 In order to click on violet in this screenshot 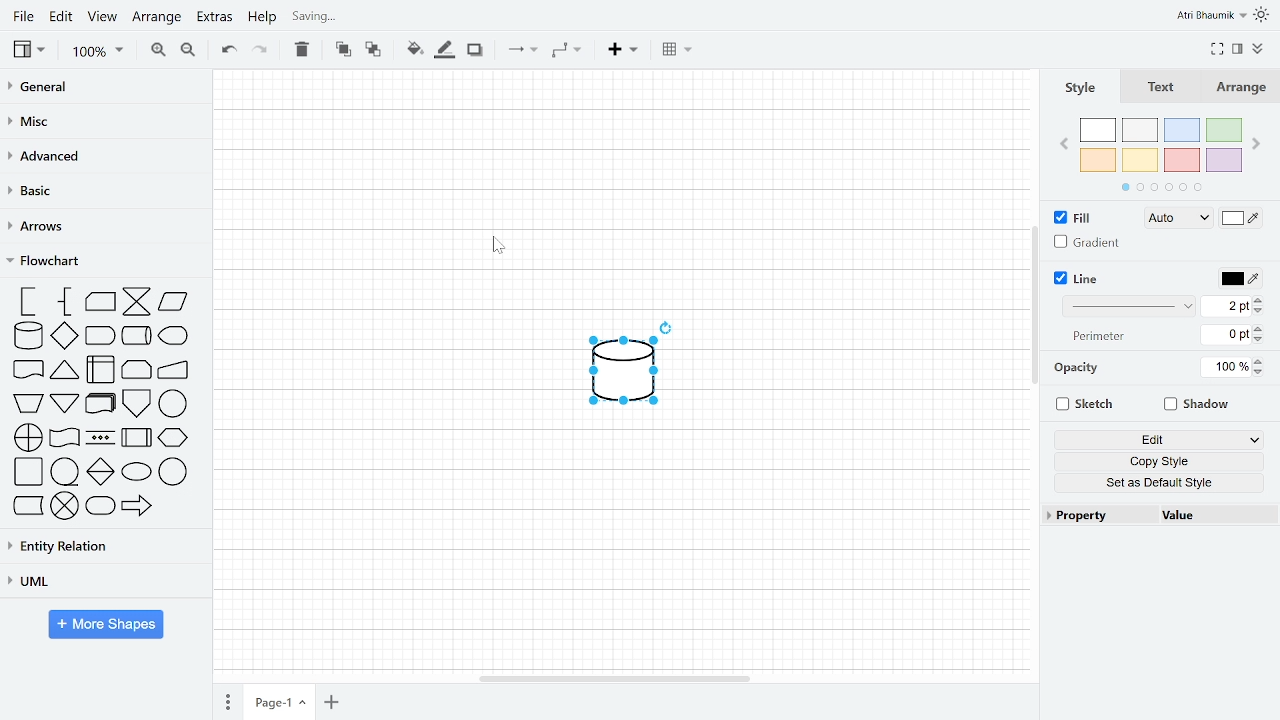, I will do `click(1224, 160)`.